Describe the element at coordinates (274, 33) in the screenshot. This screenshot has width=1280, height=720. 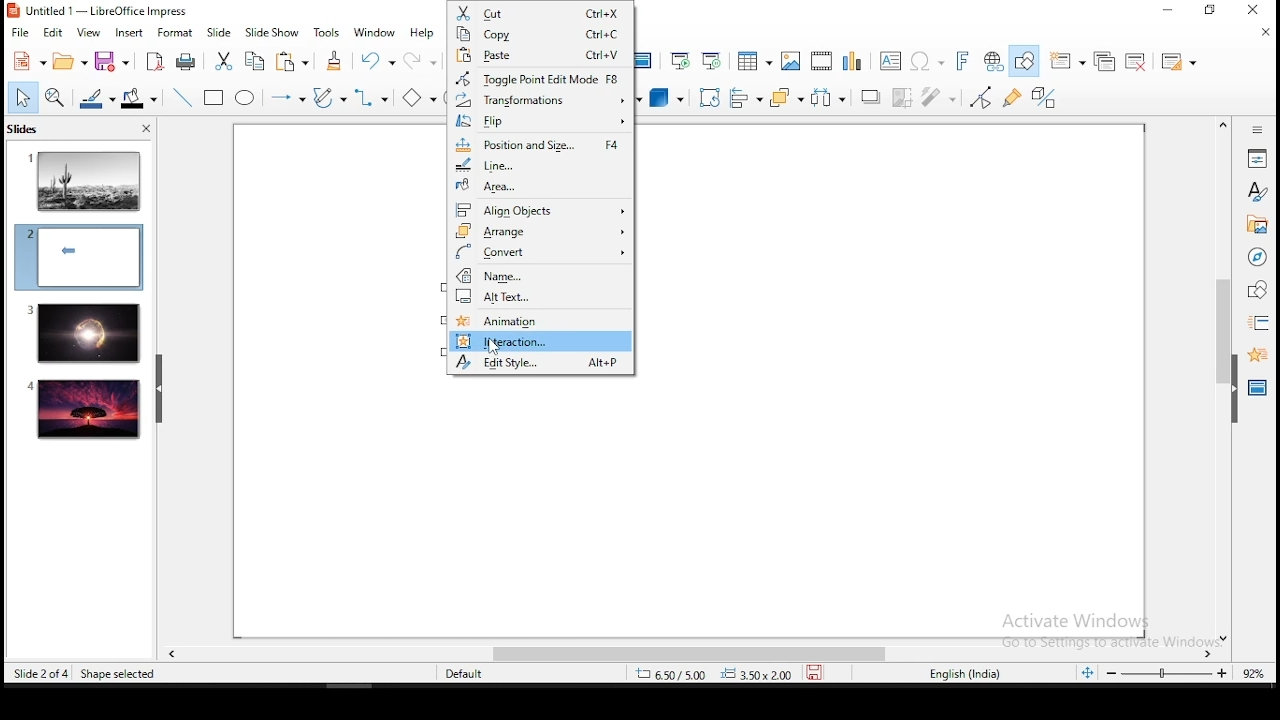
I see `slide show` at that location.